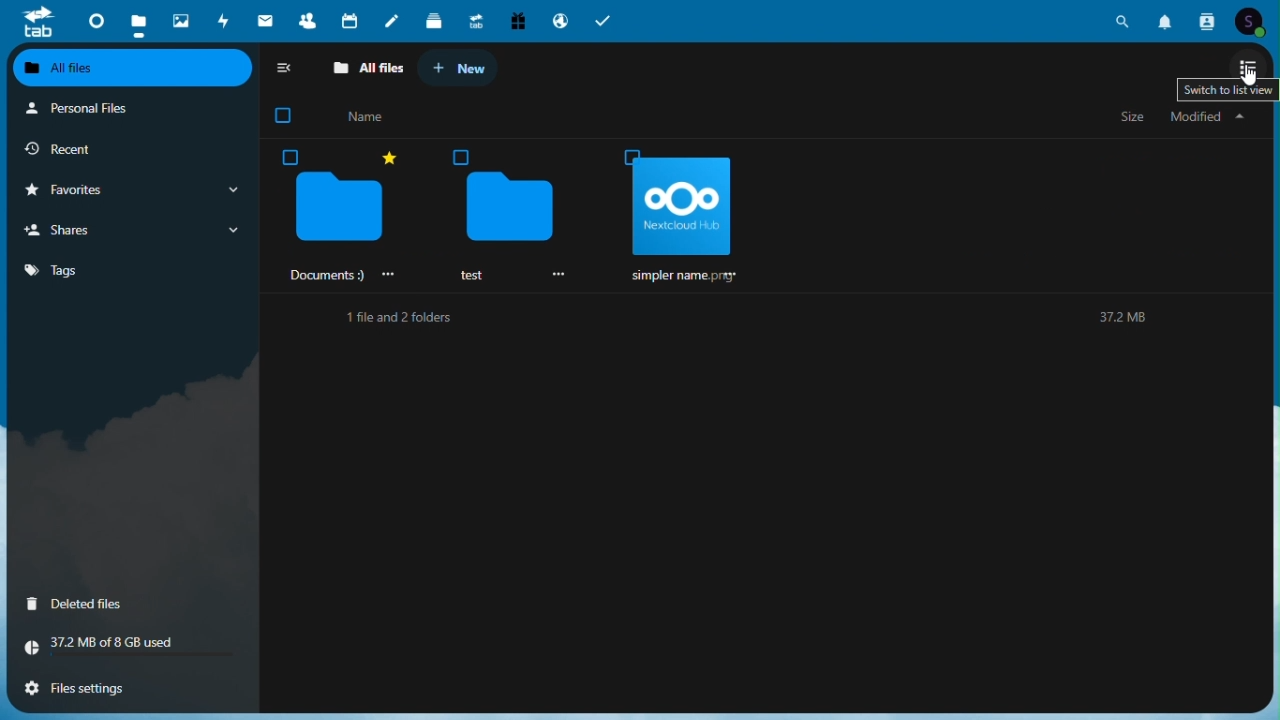 The image size is (1280, 720). What do you see at coordinates (80, 688) in the screenshot?
I see `File settings` at bounding box center [80, 688].